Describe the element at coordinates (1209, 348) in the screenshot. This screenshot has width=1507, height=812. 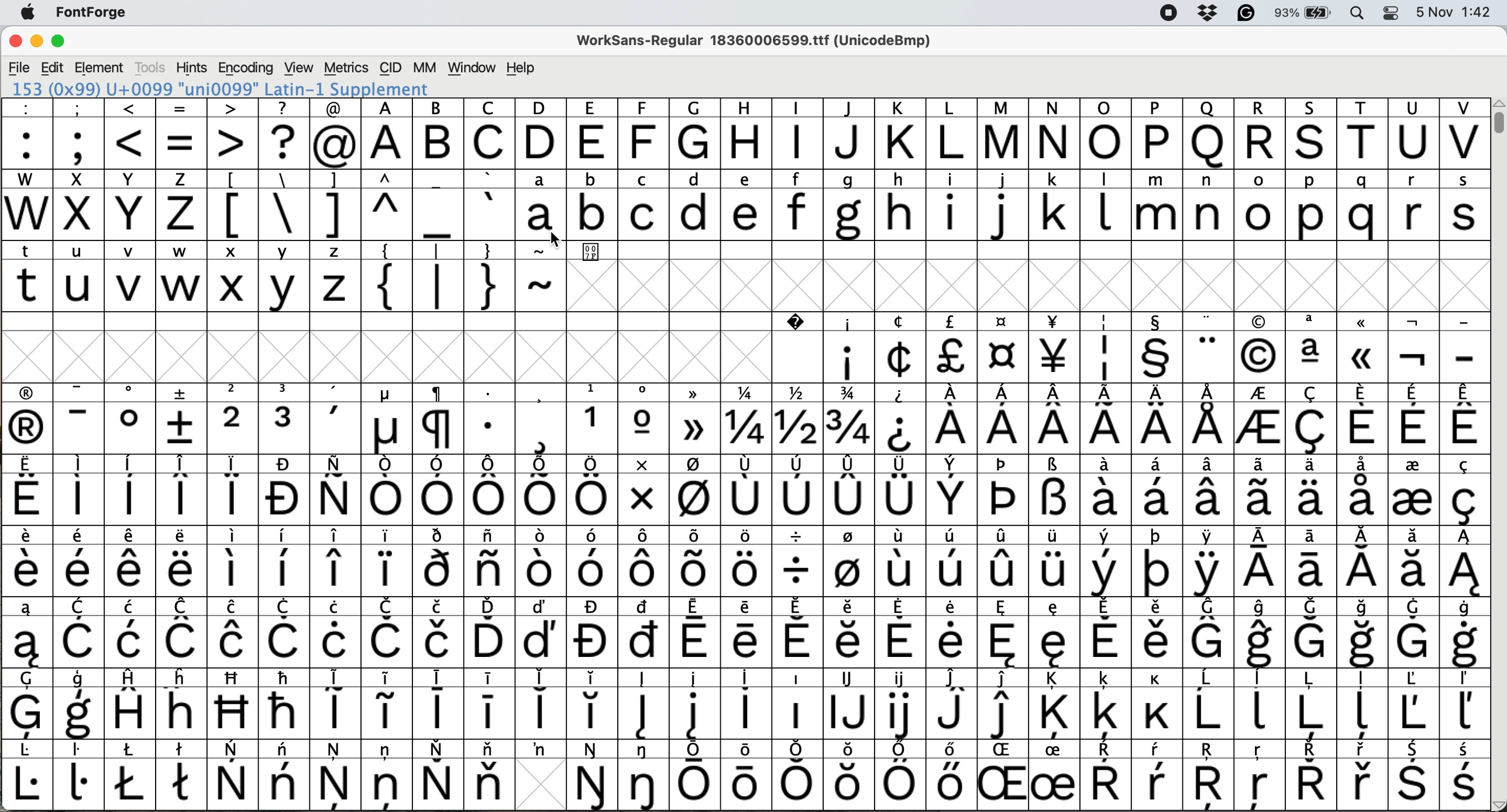
I see `symbol` at that location.